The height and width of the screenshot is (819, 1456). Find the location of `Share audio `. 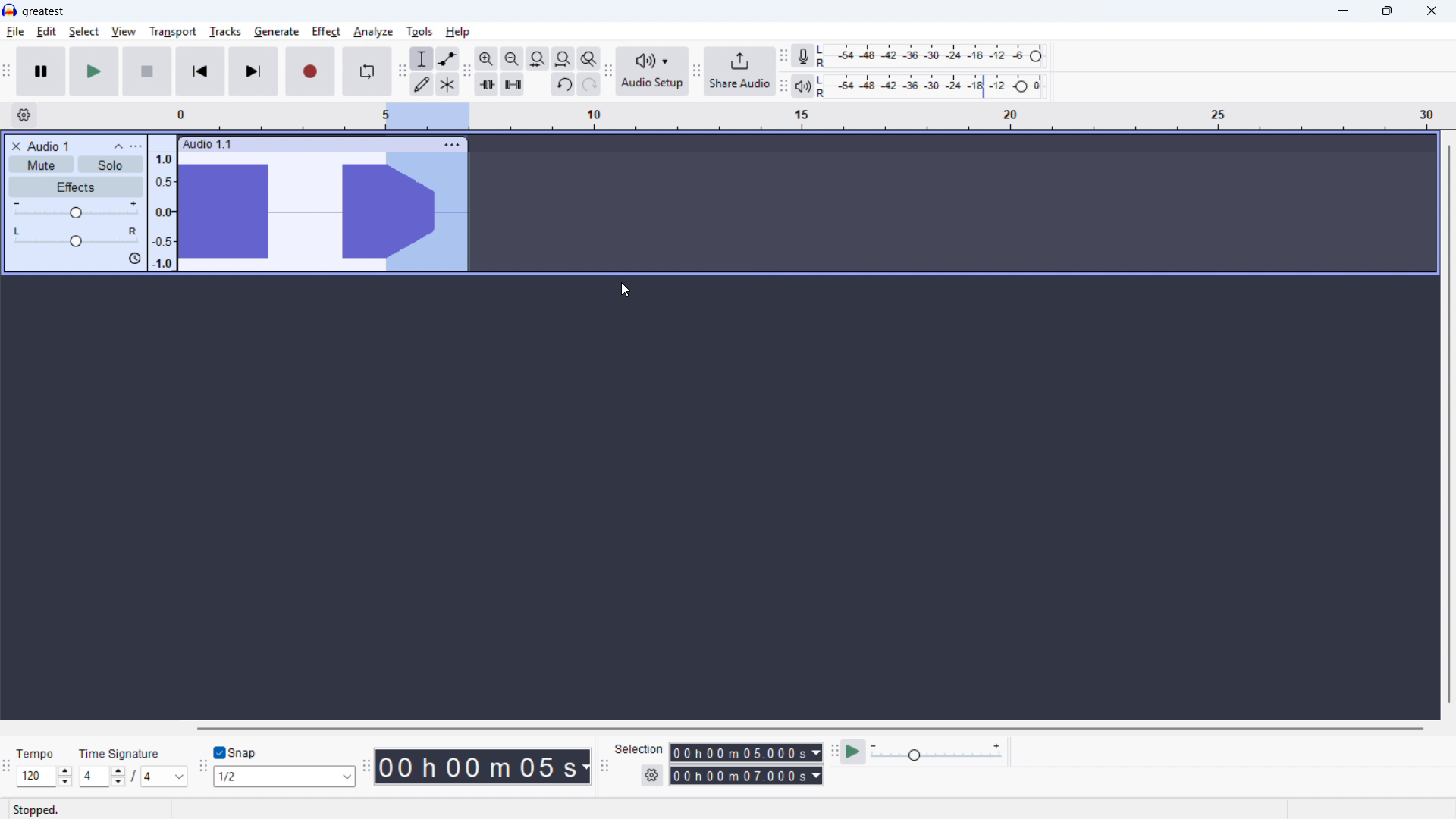

Share audio  is located at coordinates (739, 71).